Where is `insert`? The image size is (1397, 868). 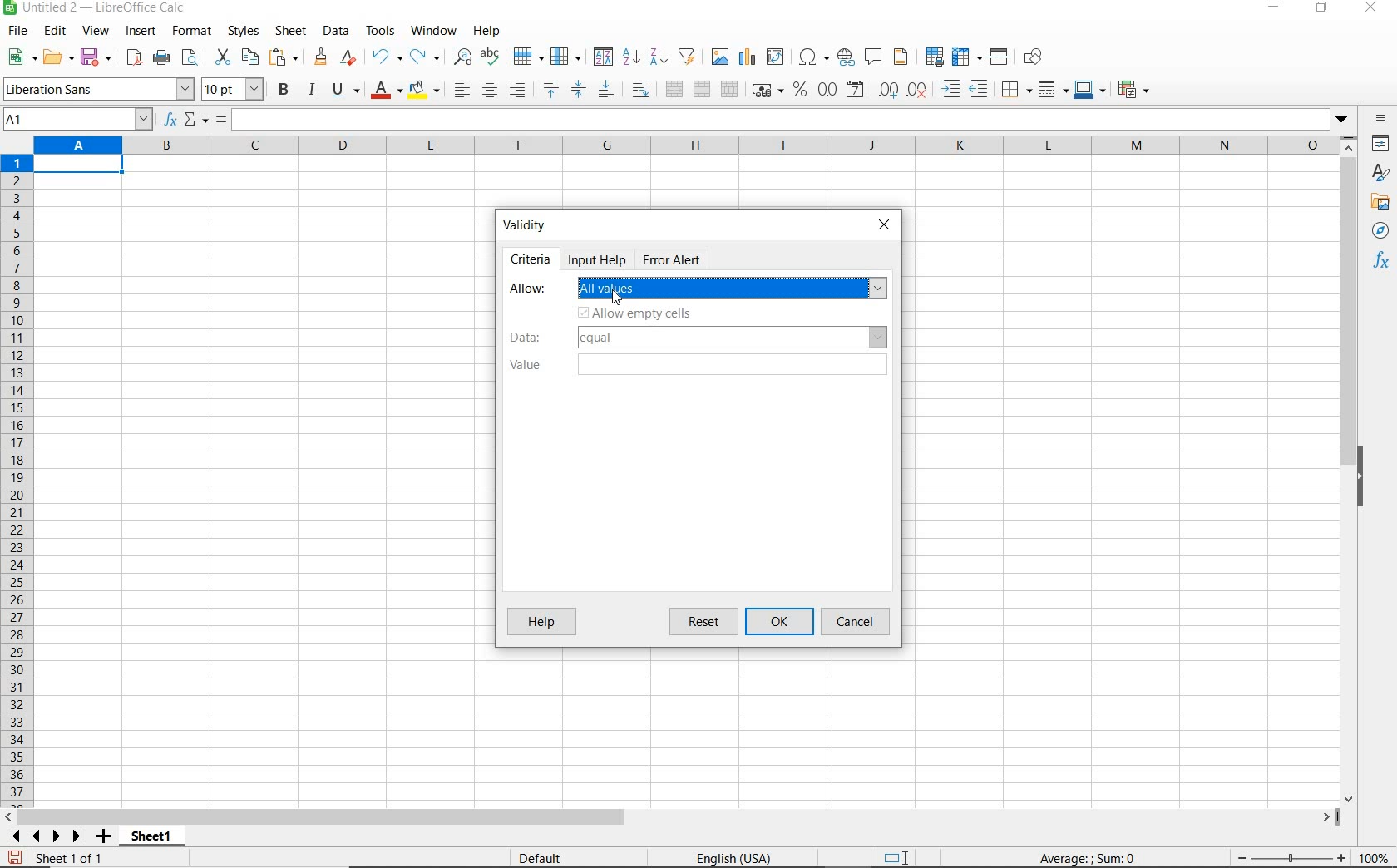 insert is located at coordinates (140, 32).